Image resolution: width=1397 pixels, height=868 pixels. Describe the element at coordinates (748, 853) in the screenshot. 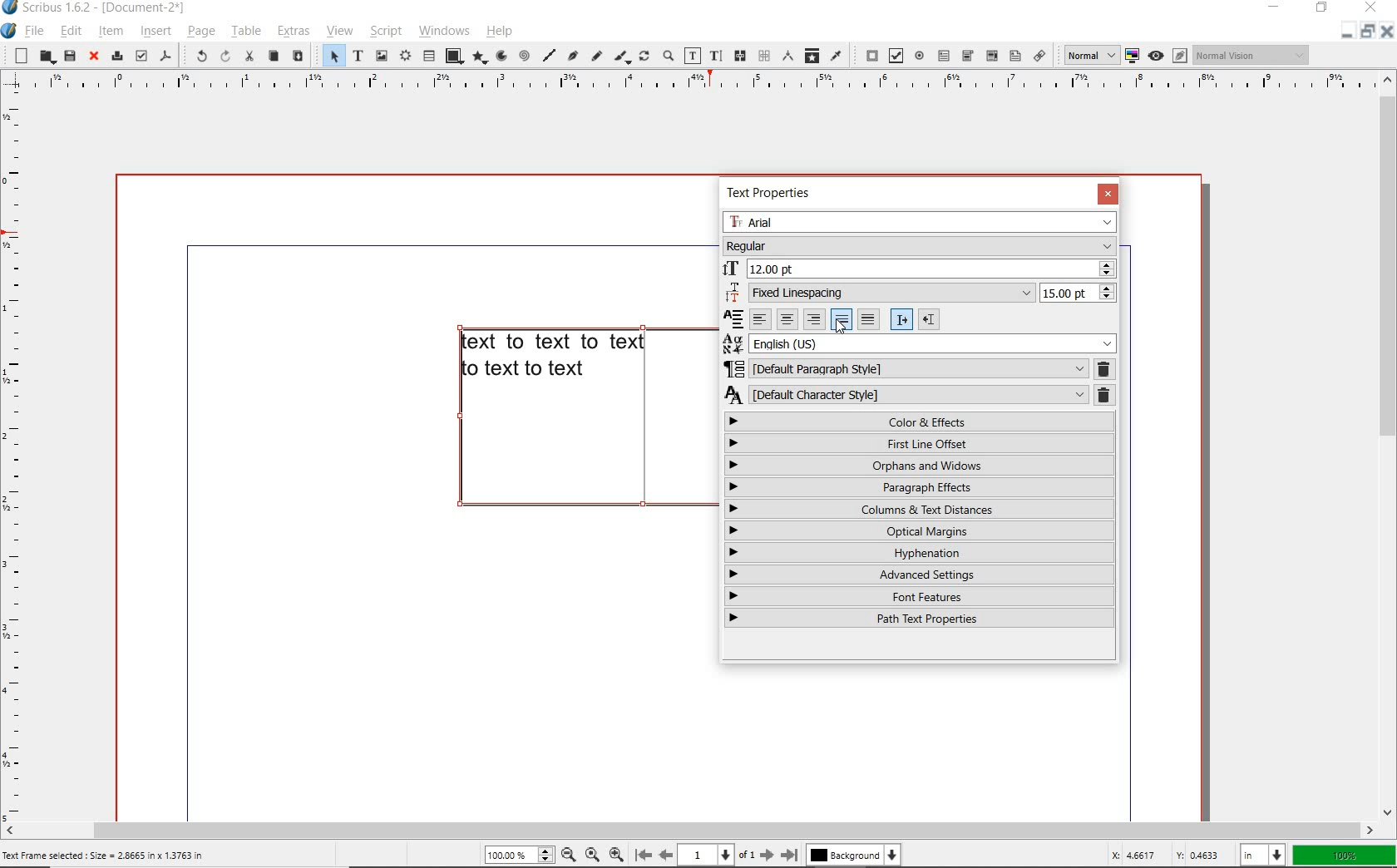

I see `of 1` at that location.